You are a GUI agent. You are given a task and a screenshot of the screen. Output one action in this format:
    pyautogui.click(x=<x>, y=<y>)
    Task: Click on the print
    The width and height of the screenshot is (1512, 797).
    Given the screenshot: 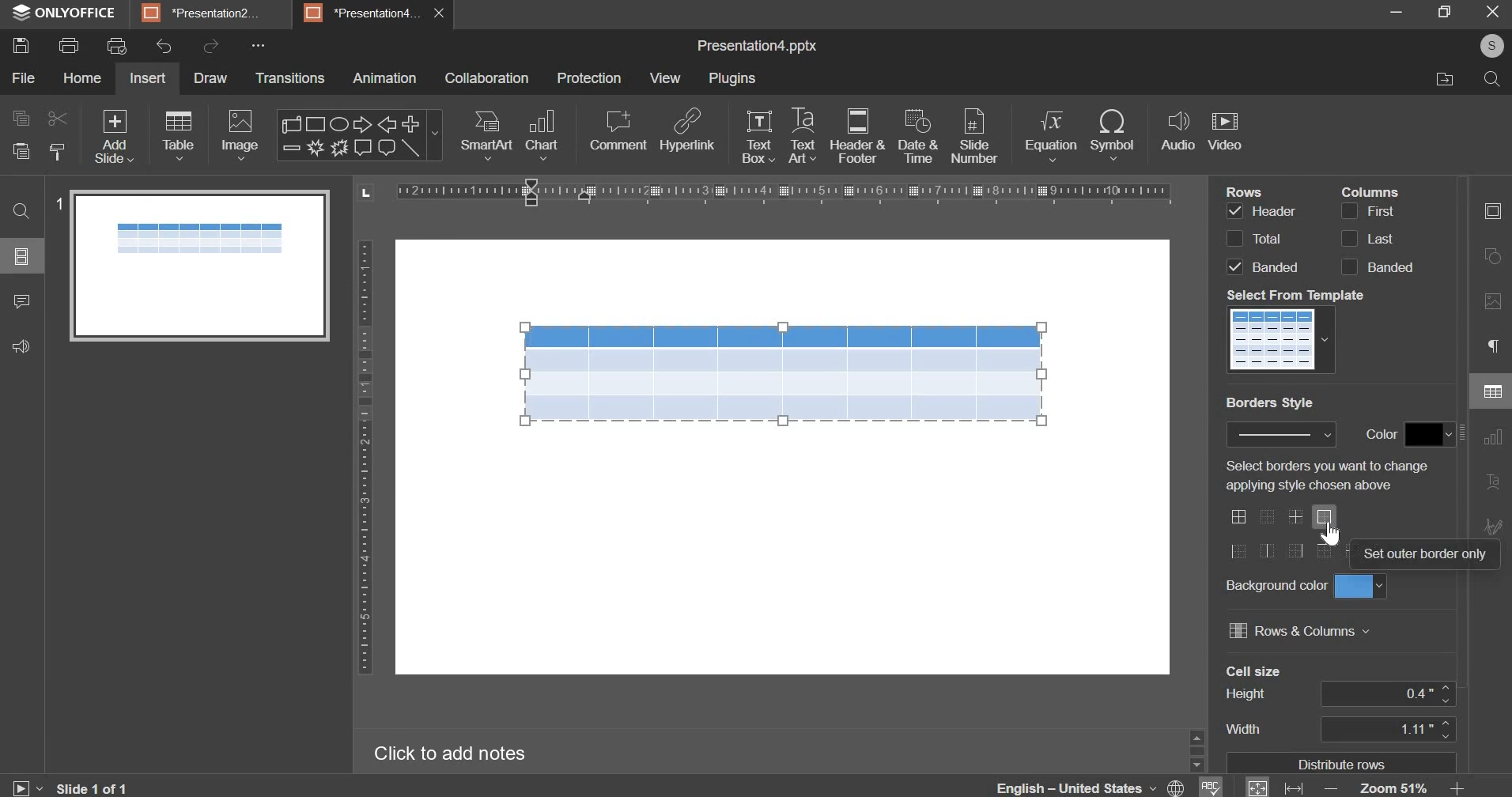 What is the action you would take?
    pyautogui.click(x=69, y=47)
    